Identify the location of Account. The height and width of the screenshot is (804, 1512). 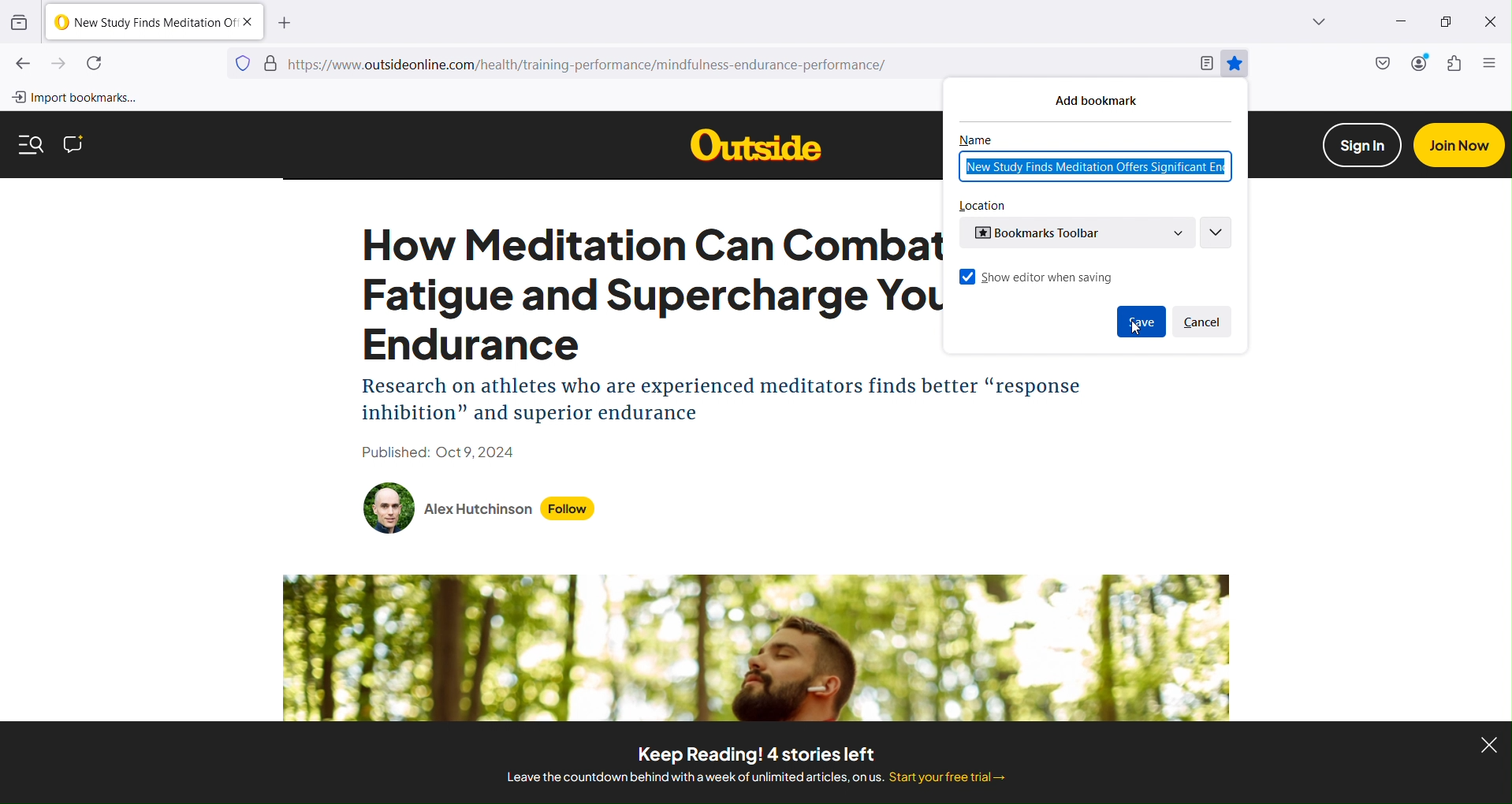
(1417, 65).